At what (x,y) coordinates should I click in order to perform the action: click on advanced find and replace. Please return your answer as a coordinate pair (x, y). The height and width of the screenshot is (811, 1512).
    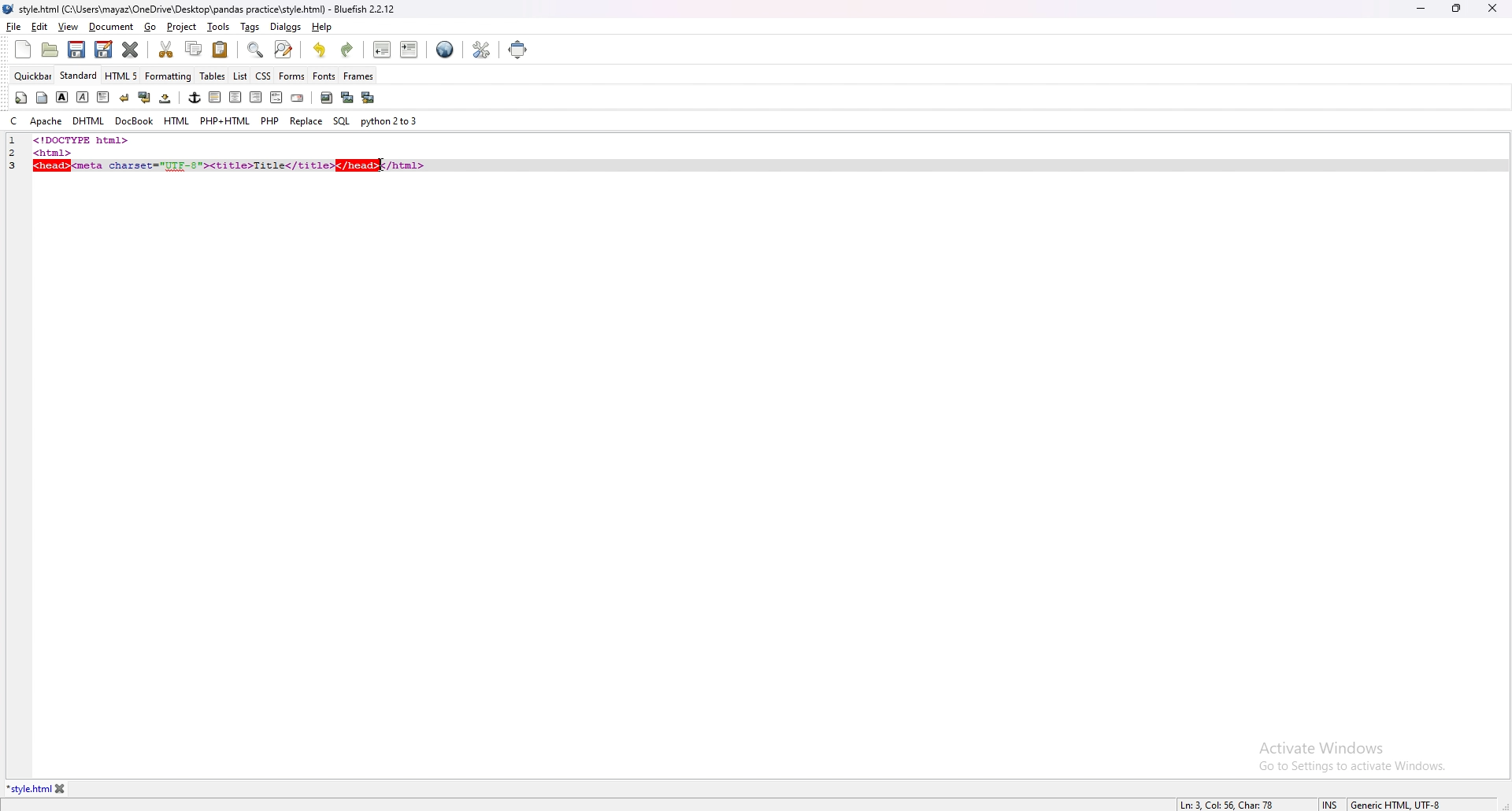
    Looking at the image, I should click on (283, 49).